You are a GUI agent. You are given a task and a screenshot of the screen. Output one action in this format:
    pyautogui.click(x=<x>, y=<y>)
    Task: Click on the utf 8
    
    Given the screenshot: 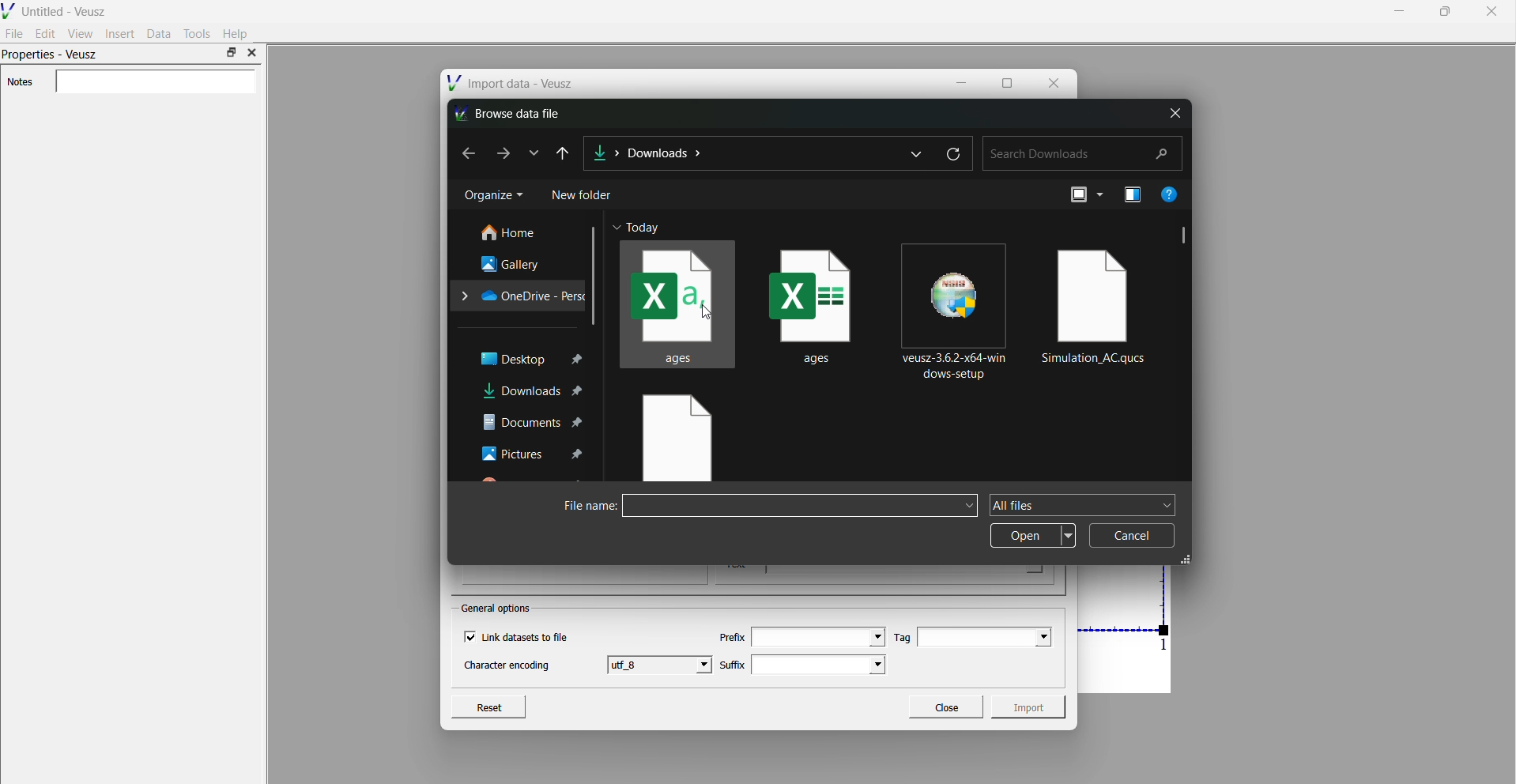 What is the action you would take?
    pyautogui.click(x=662, y=664)
    